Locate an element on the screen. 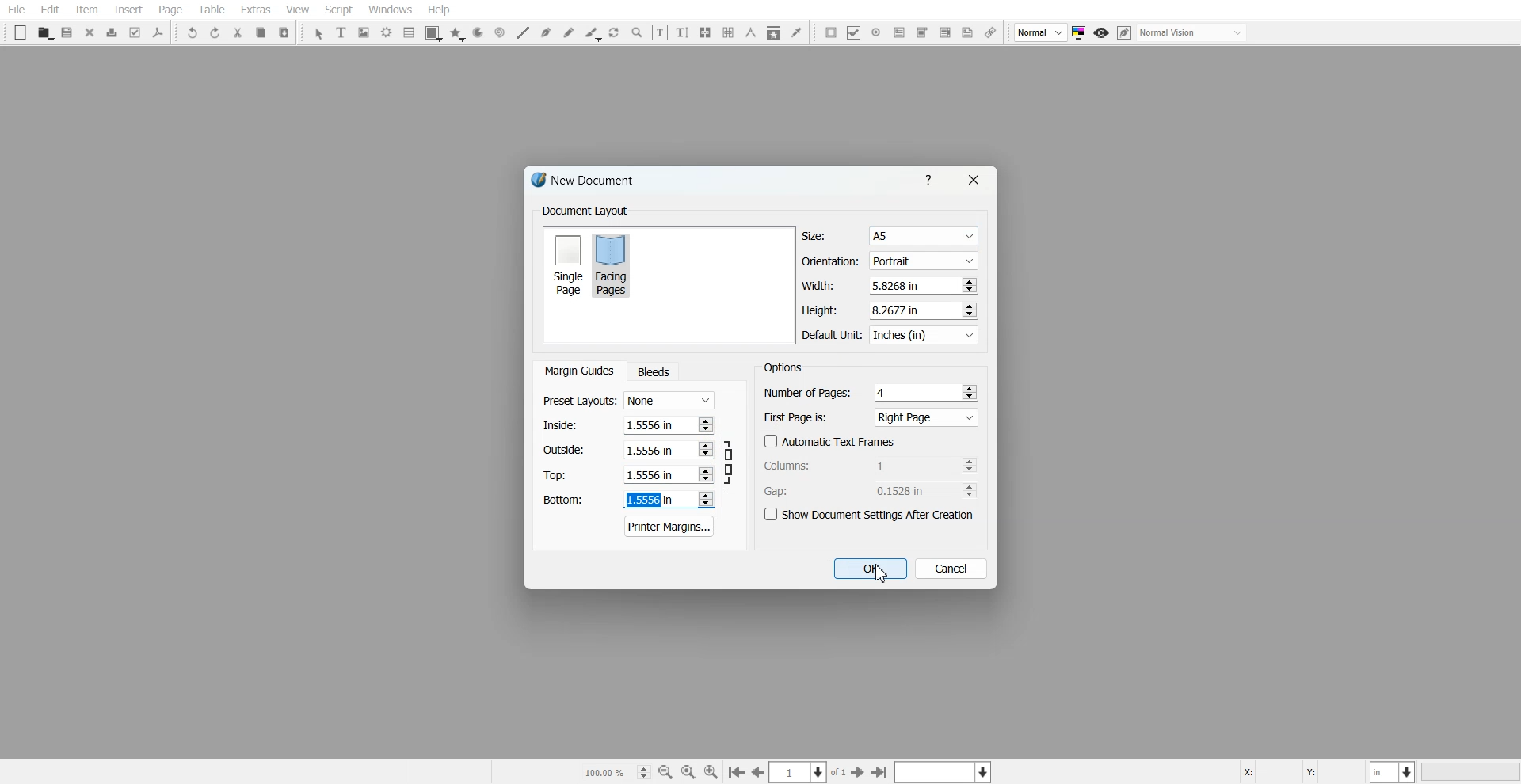  Text Annotation is located at coordinates (967, 33).